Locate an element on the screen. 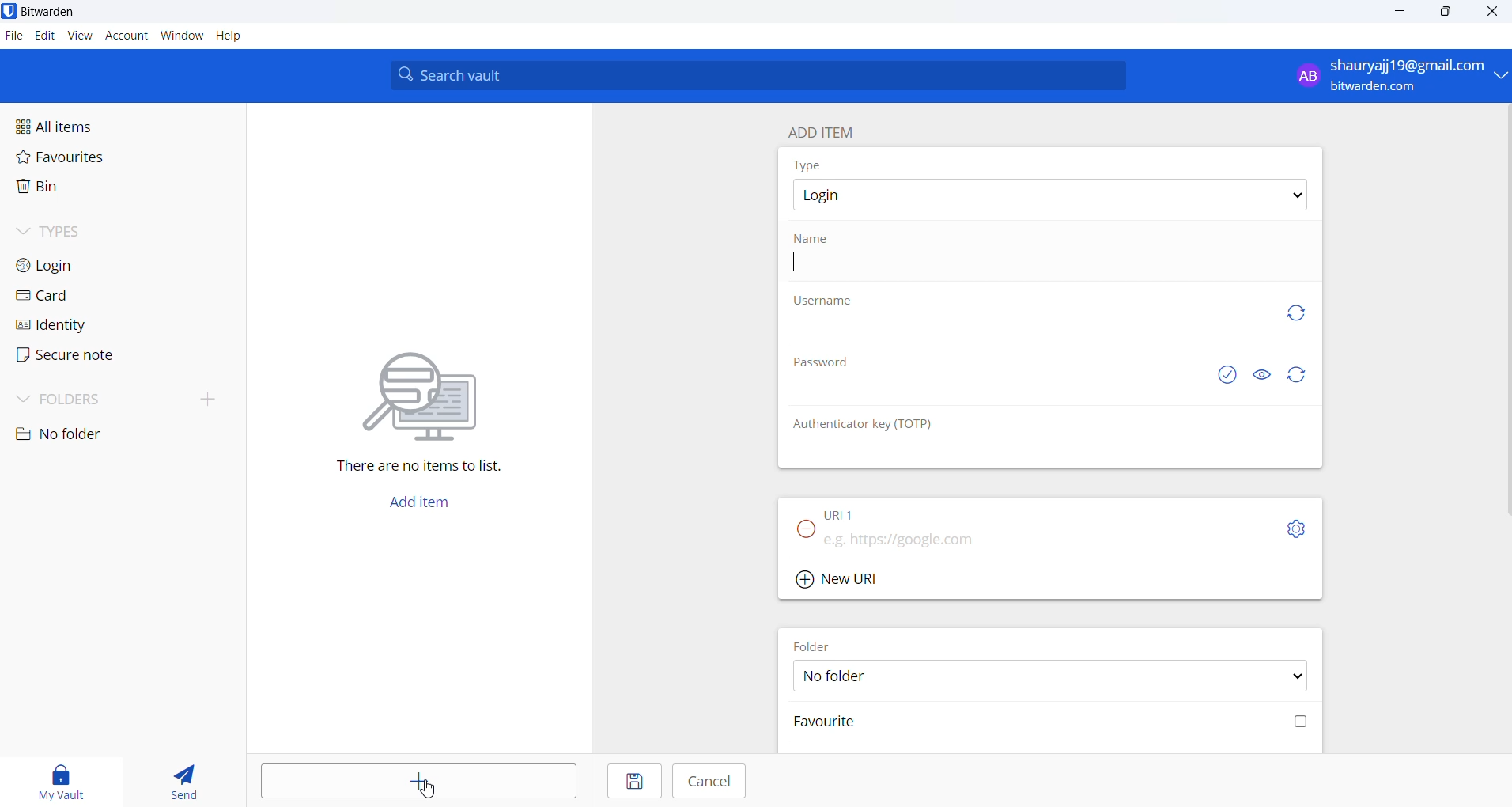  Folders is located at coordinates (81, 396).